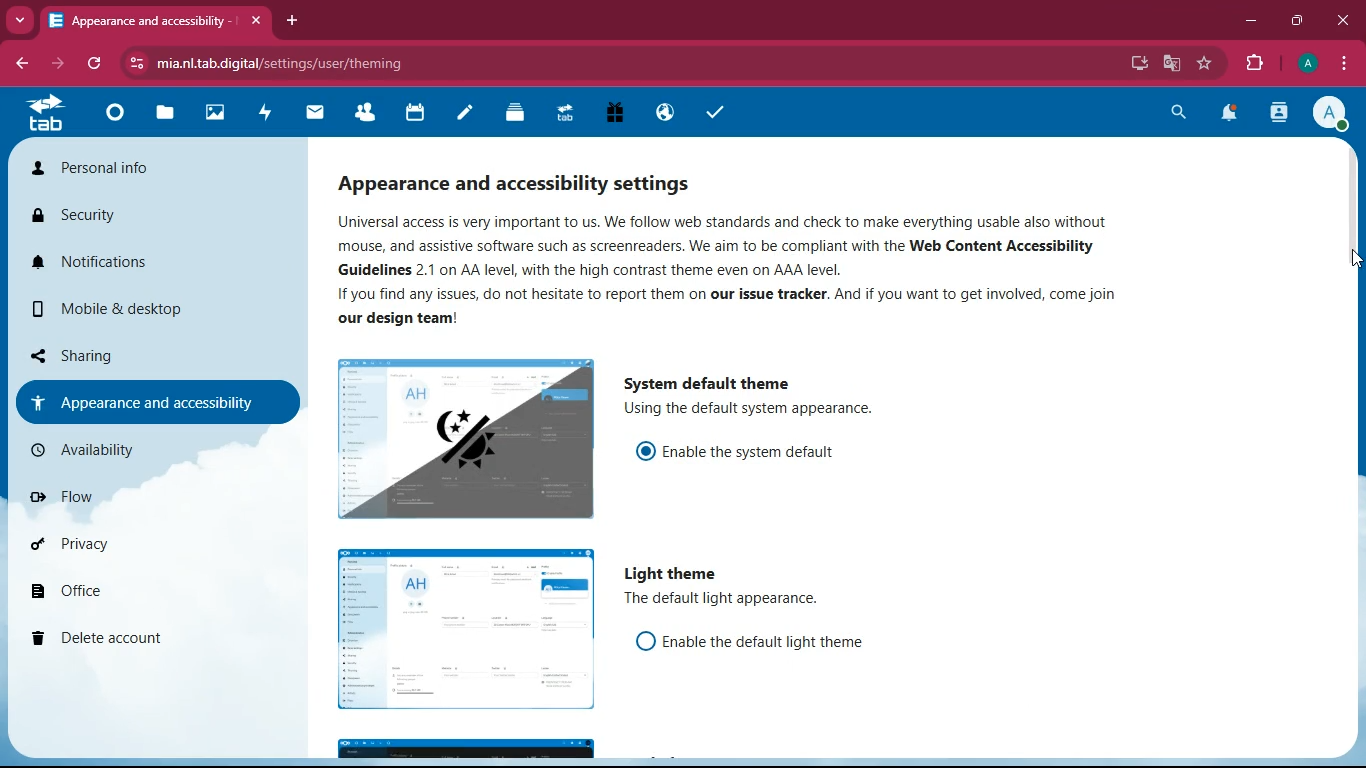 This screenshot has height=768, width=1366. What do you see at coordinates (157, 264) in the screenshot?
I see `notifications` at bounding box center [157, 264].